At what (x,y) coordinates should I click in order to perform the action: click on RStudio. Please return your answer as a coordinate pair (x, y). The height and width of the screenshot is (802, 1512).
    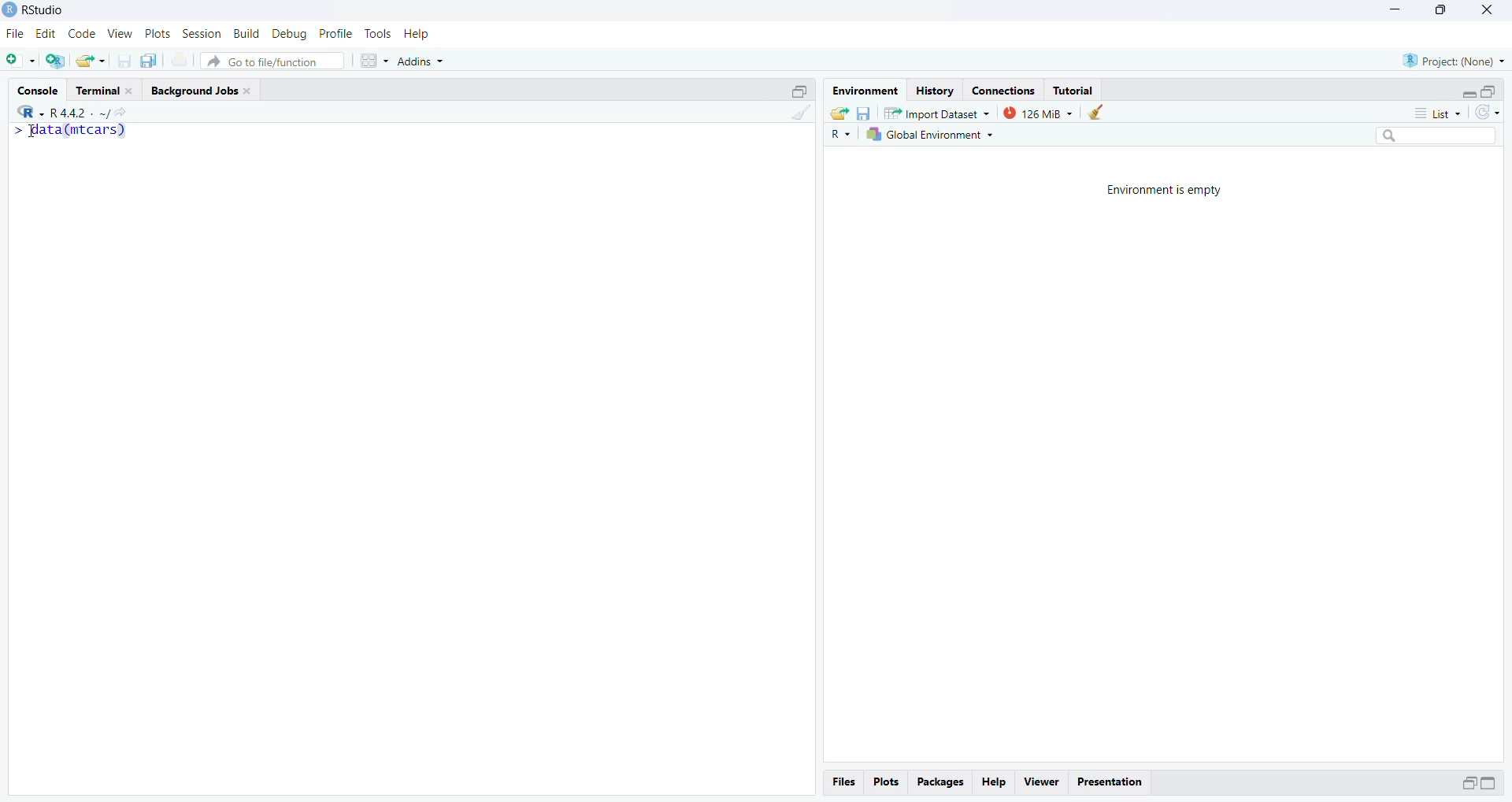
    Looking at the image, I should click on (43, 9).